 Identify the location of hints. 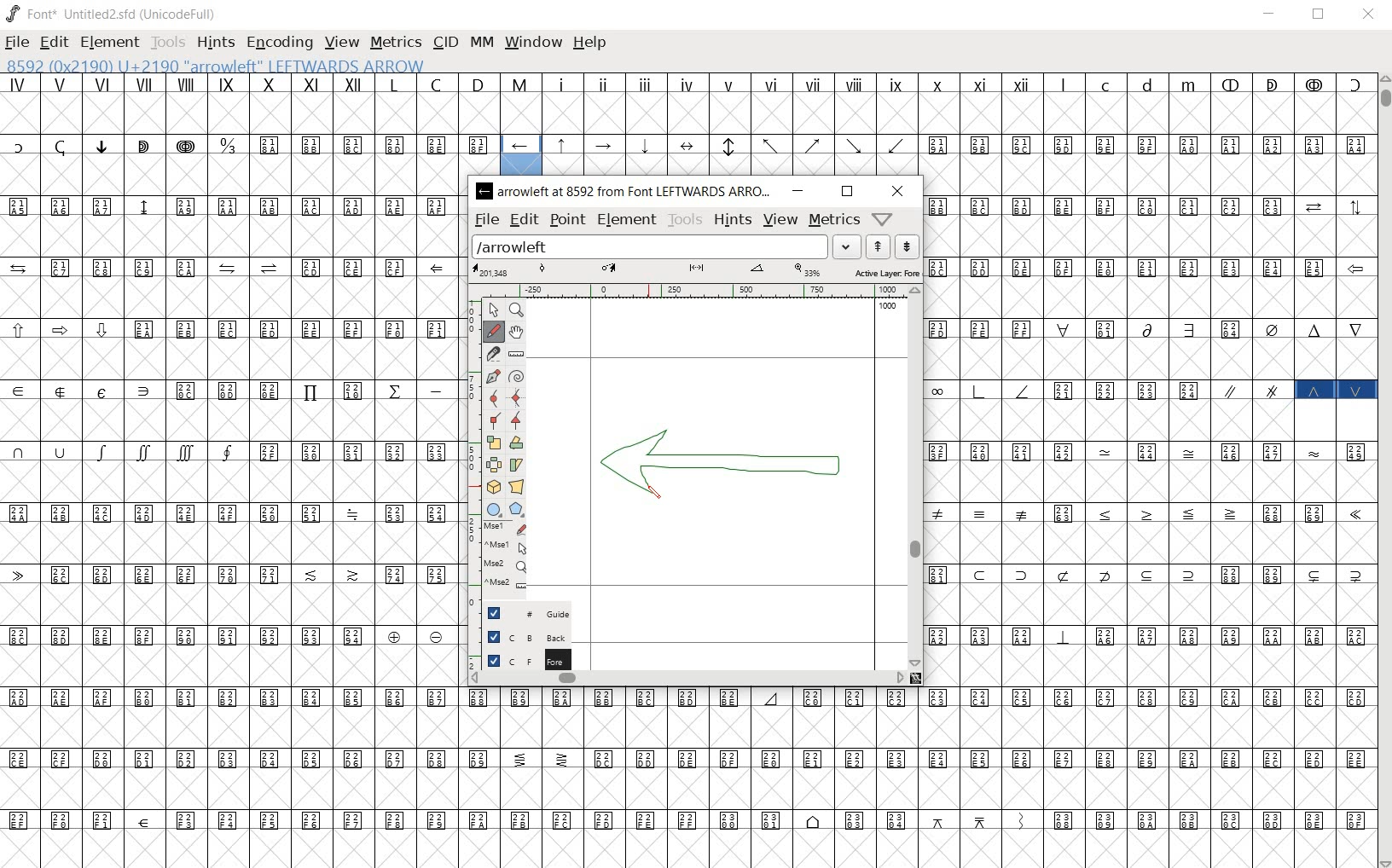
(732, 219).